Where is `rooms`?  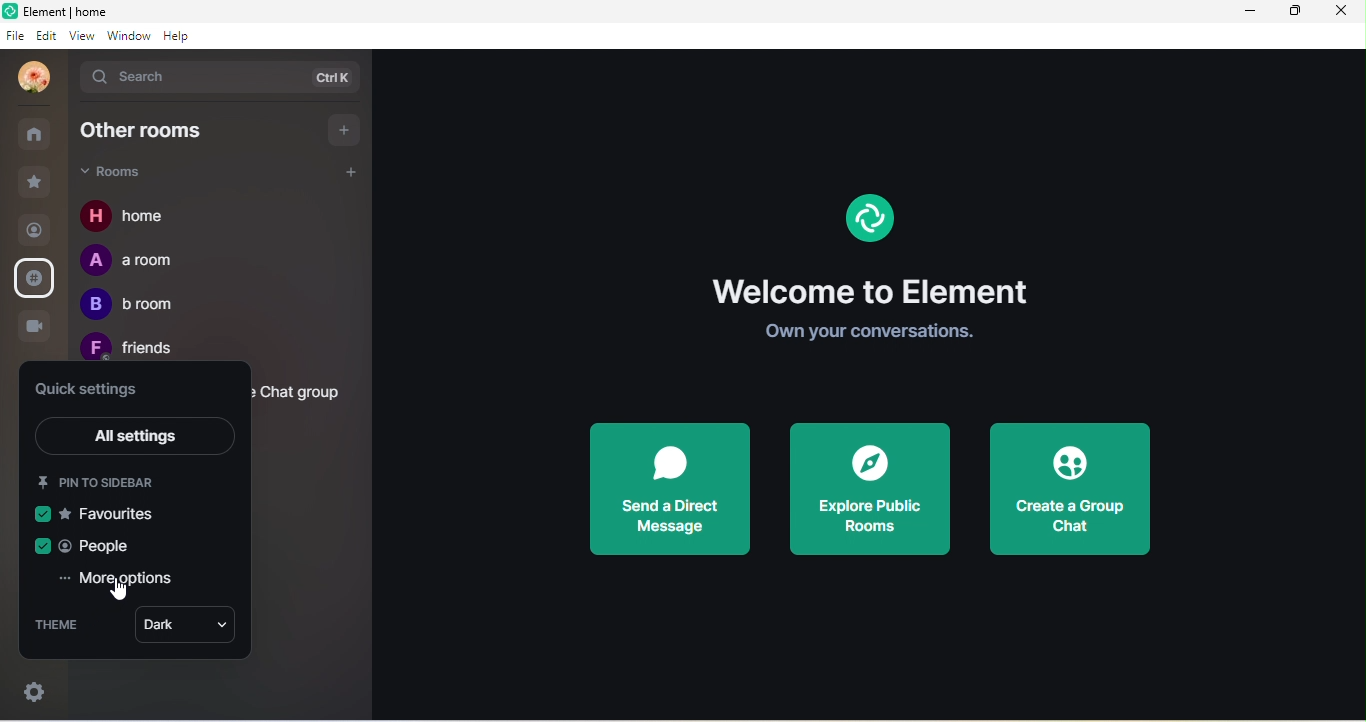 rooms is located at coordinates (129, 174).